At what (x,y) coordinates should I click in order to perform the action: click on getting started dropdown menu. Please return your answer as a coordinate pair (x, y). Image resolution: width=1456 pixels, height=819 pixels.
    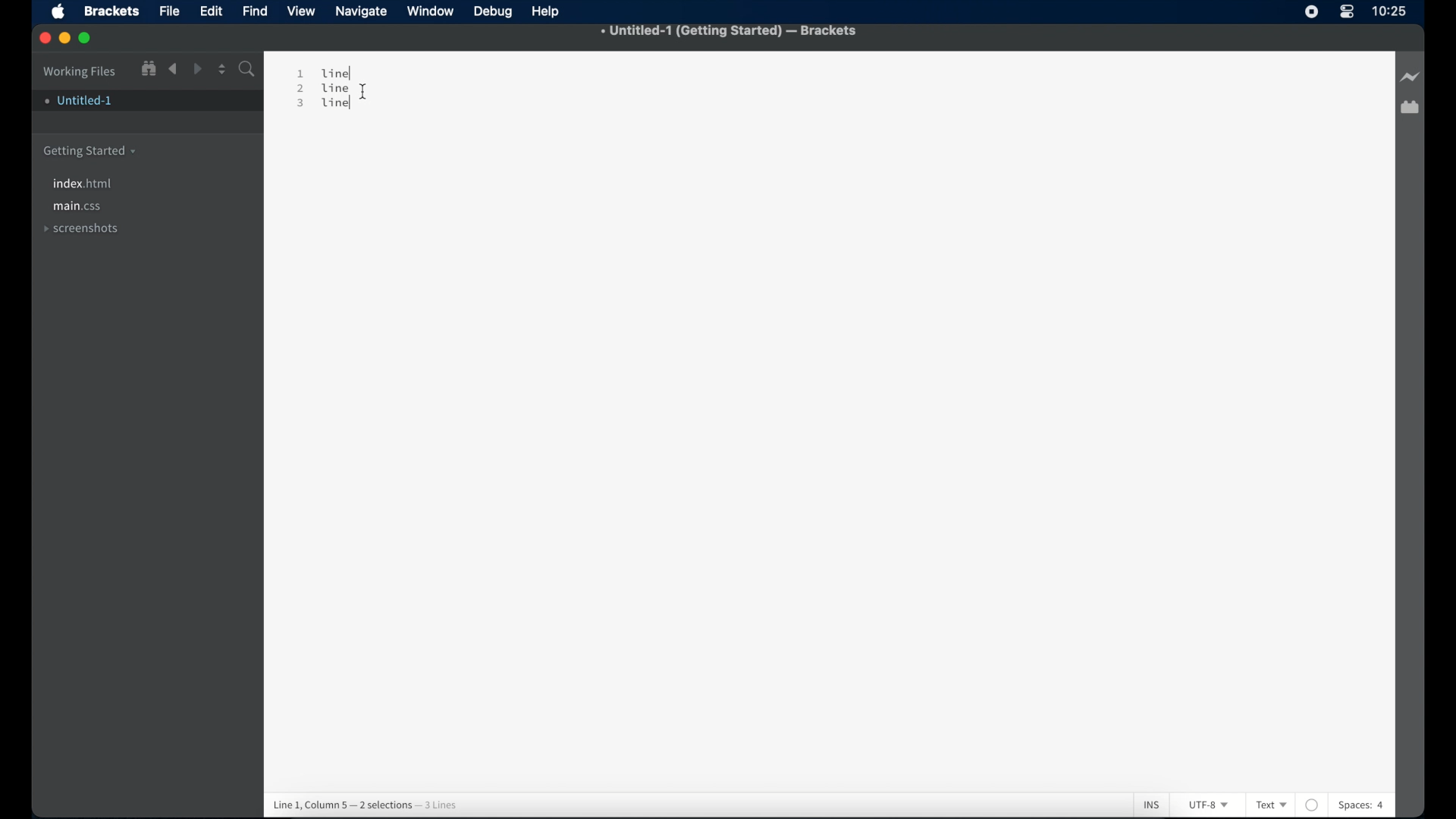
    Looking at the image, I should click on (90, 152).